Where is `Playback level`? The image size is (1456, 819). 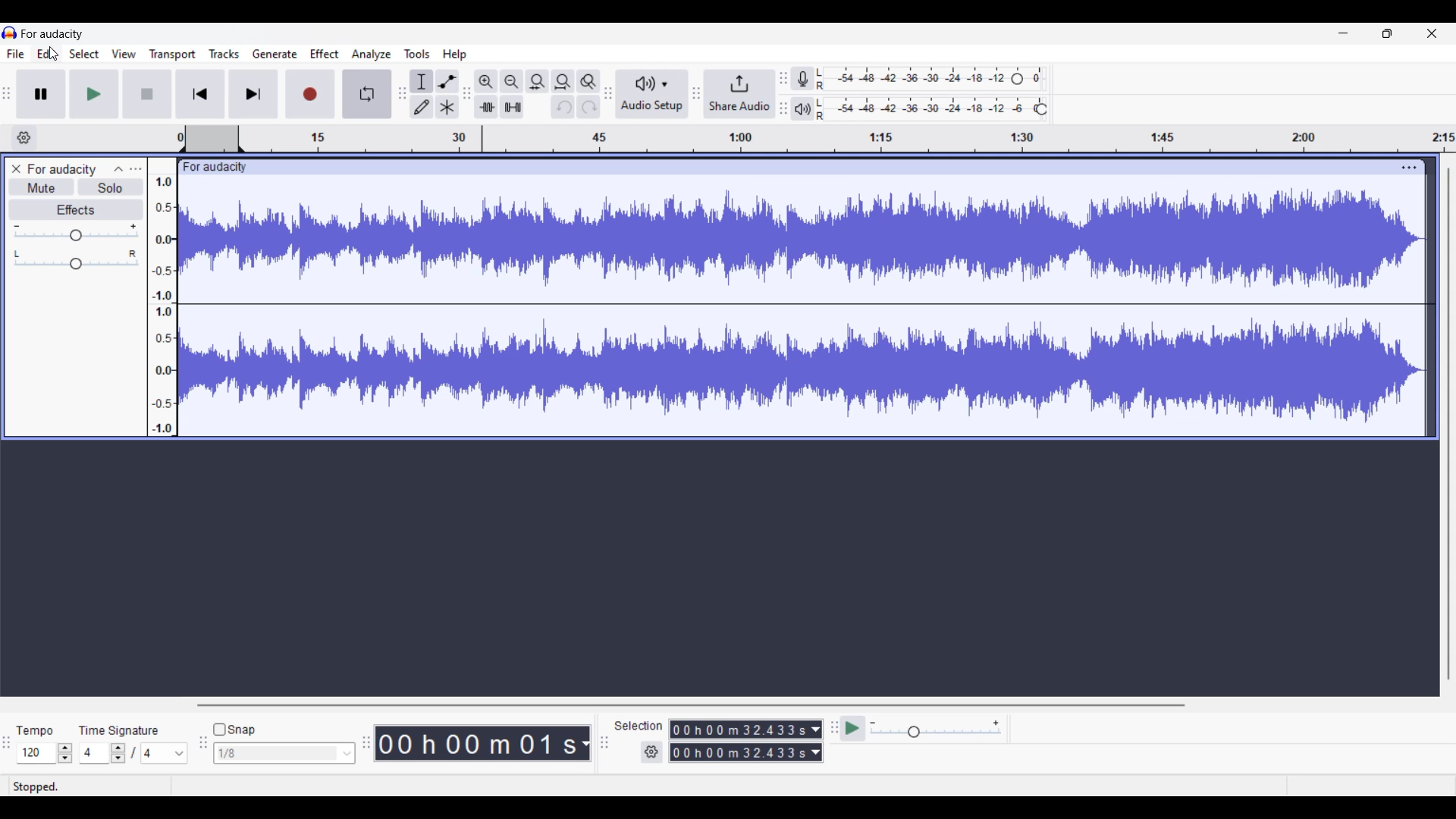
Playback level is located at coordinates (924, 109).